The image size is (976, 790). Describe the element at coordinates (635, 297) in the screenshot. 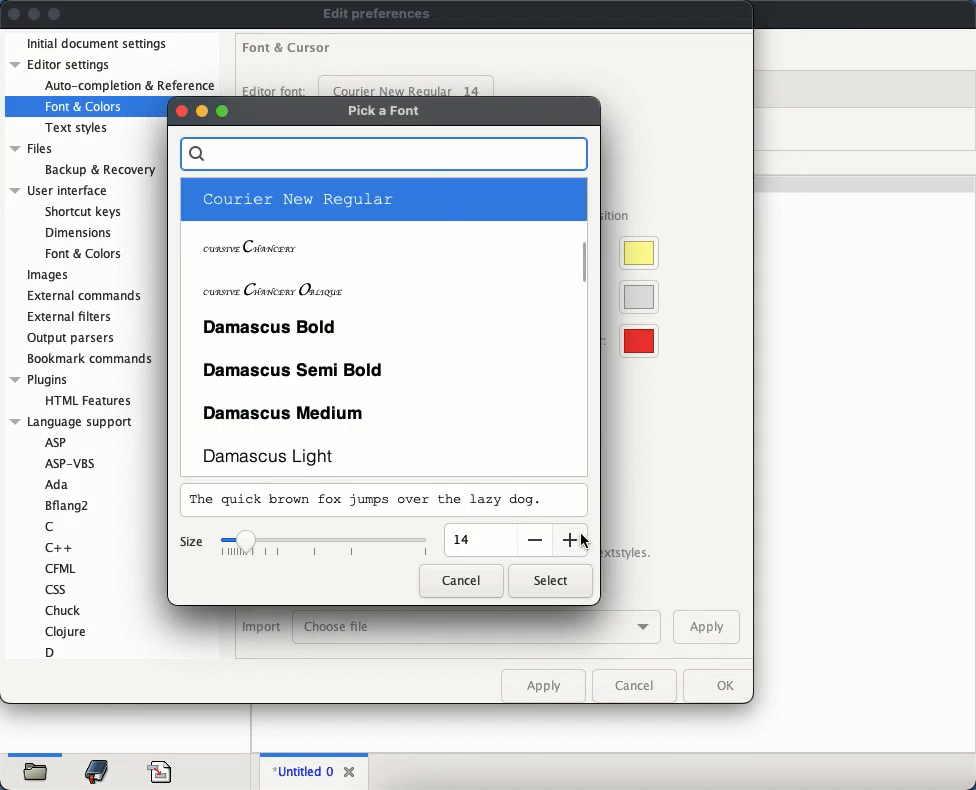

I see `current line color` at that location.